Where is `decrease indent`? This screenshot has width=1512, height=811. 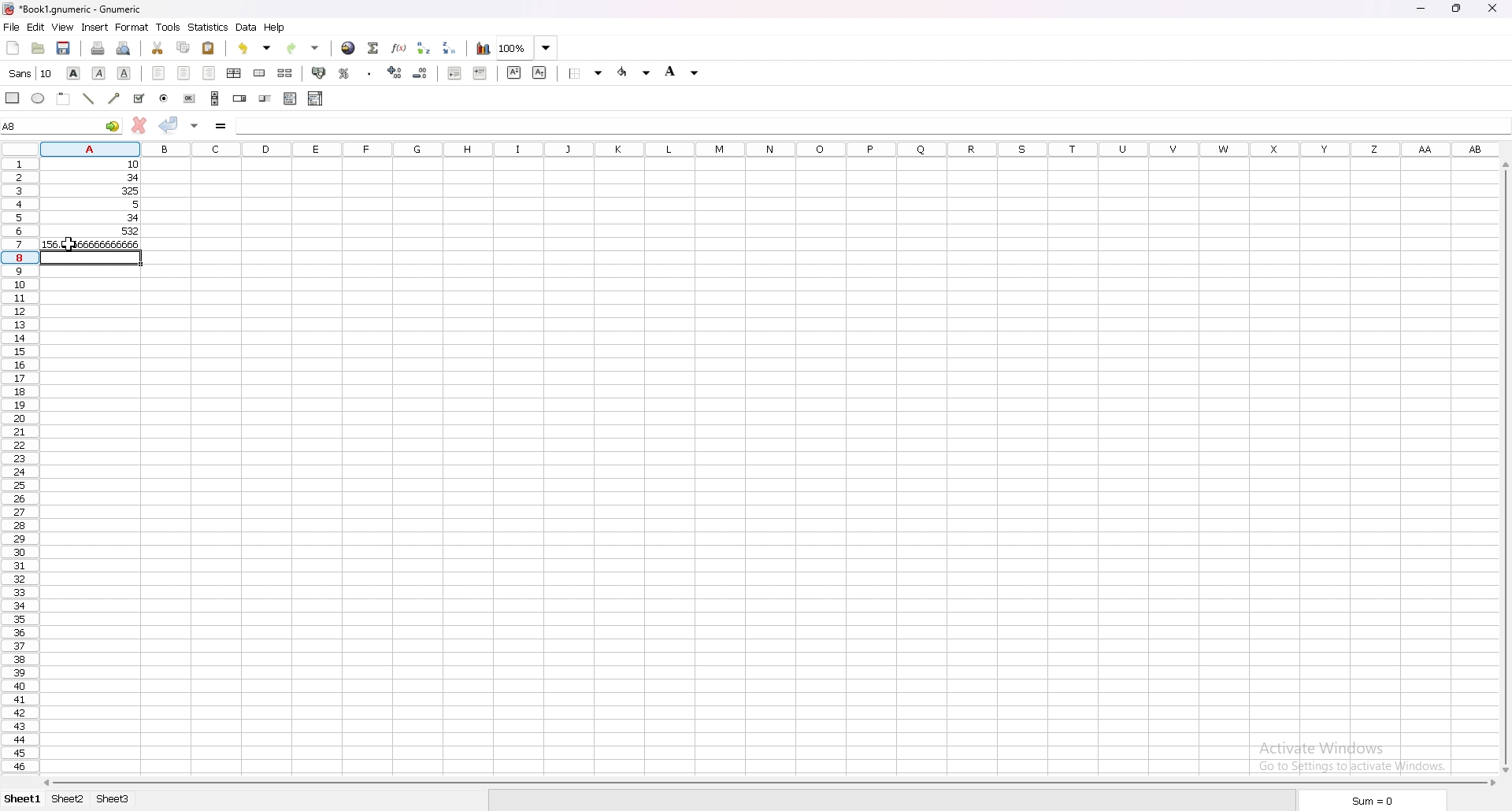
decrease indent is located at coordinates (455, 73).